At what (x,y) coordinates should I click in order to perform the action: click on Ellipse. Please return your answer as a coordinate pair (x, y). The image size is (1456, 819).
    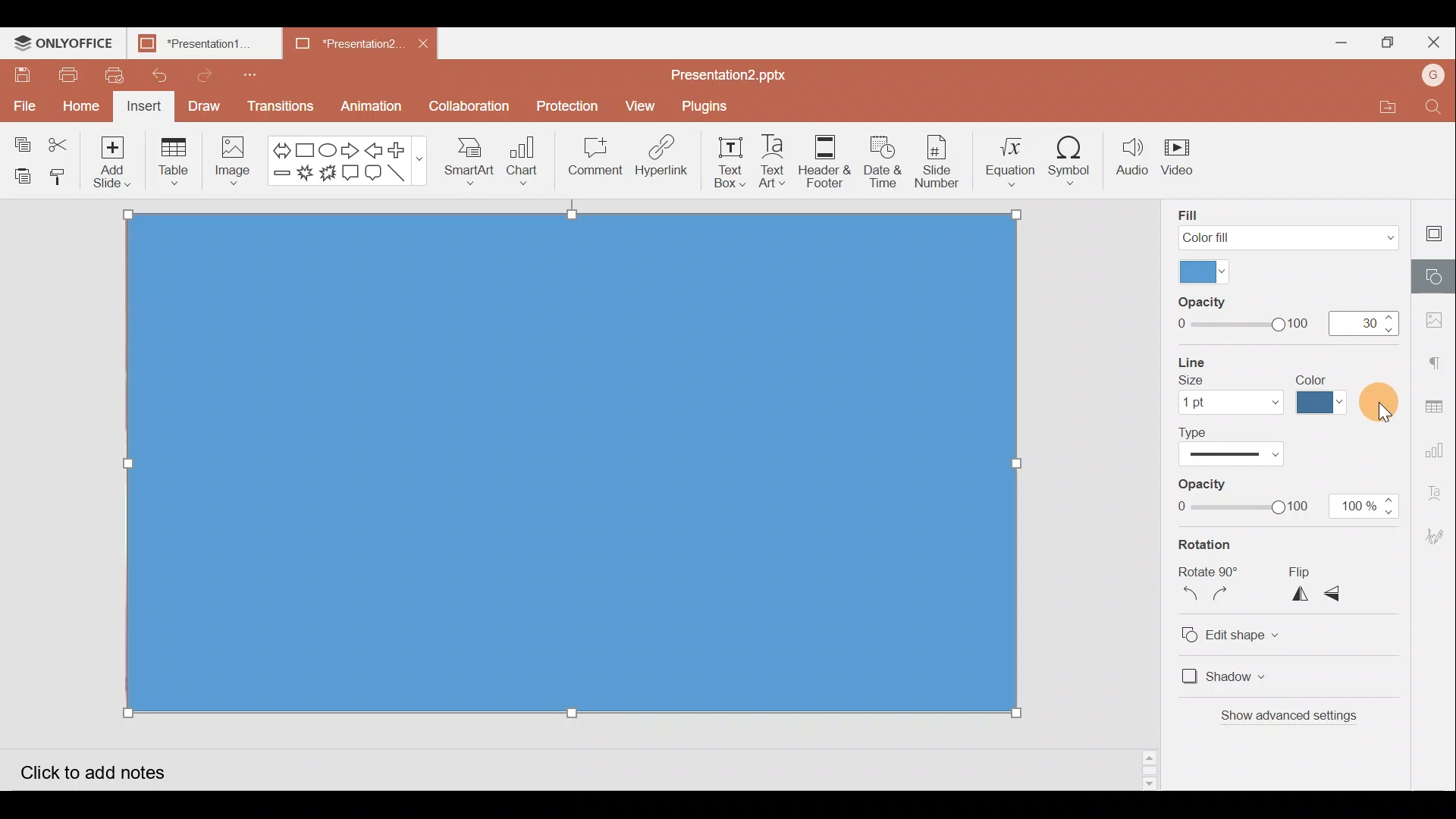
    Looking at the image, I should click on (329, 146).